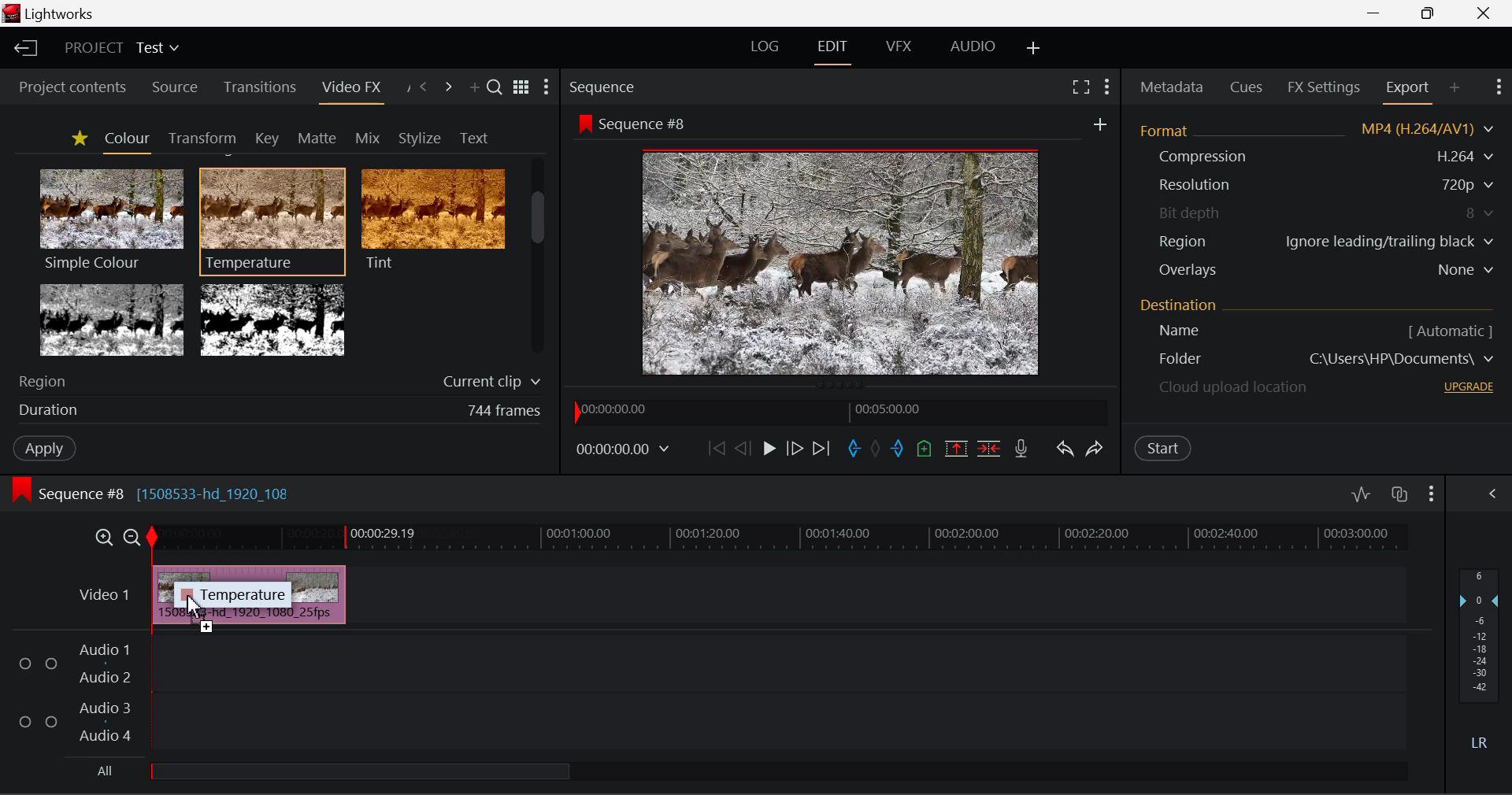 Image resolution: width=1512 pixels, height=795 pixels. What do you see at coordinates (26, 662) in the screenshot?
I see `Checkbox` at bounding box center [26, 662].